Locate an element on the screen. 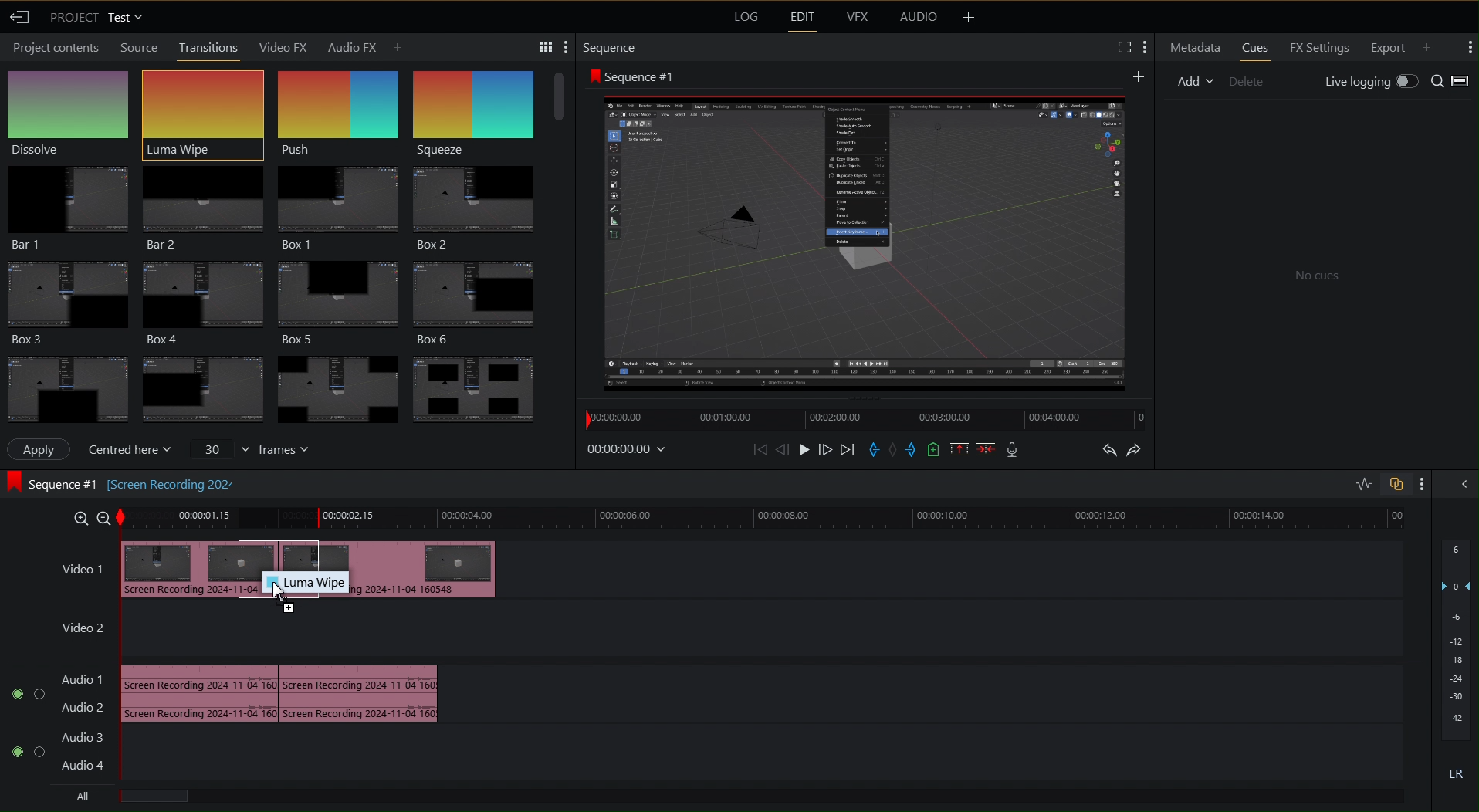 Image resolution: width=1479 pixels, height=812 pixels. Toggles is located at coordinates (1377, 484).